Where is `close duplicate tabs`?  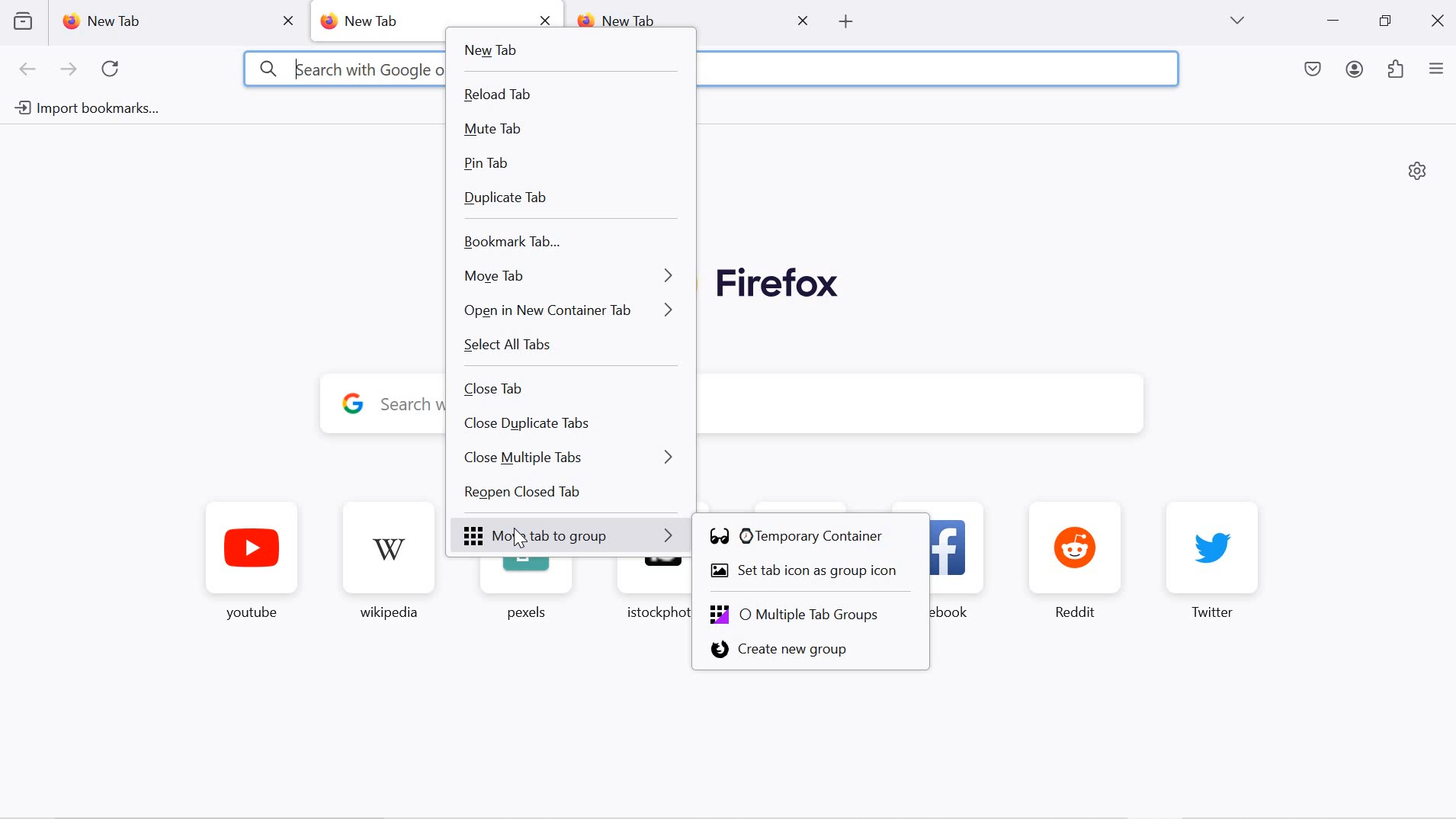
close duplicate tabs is located at coordinates (572, 427).